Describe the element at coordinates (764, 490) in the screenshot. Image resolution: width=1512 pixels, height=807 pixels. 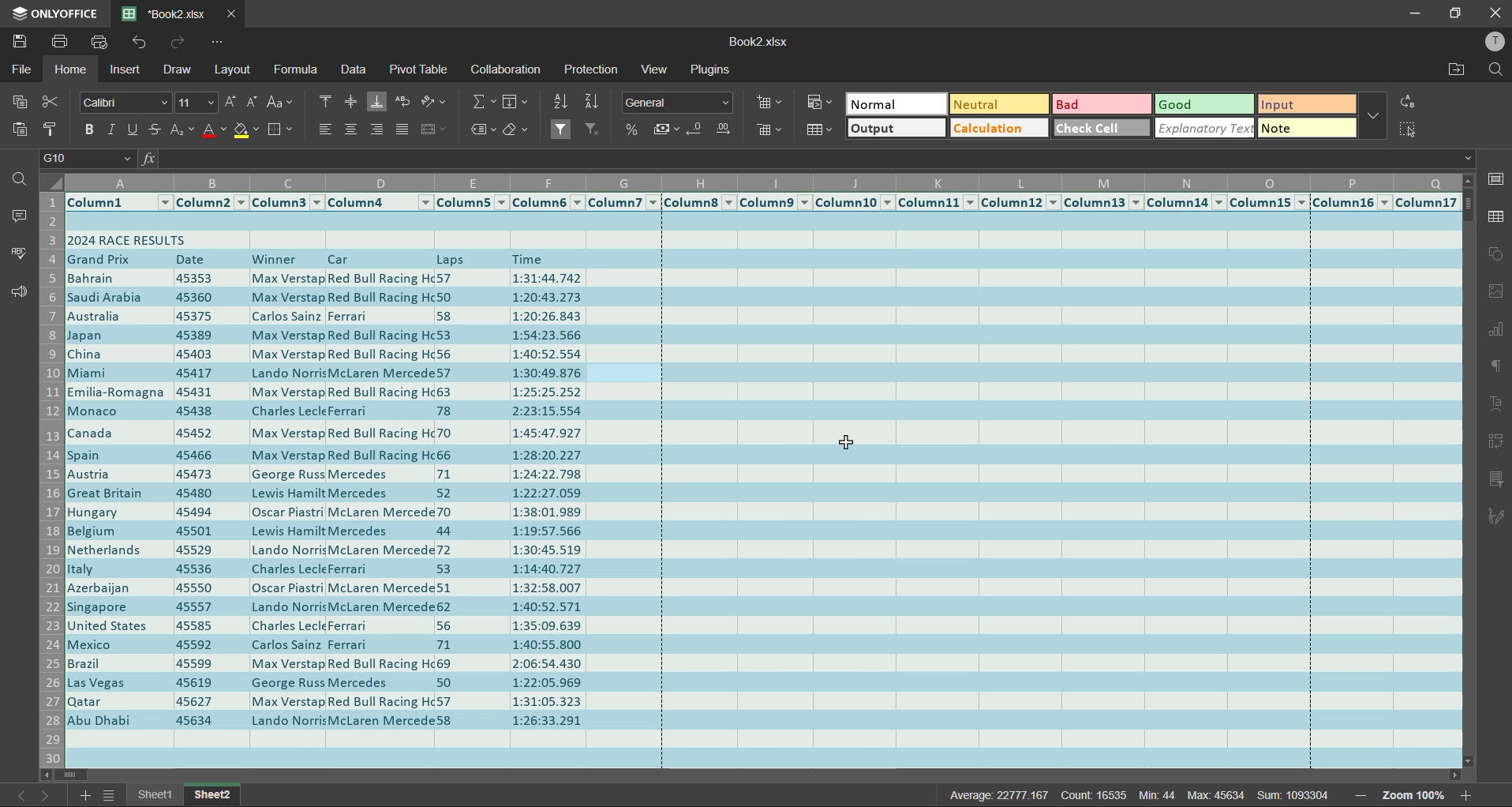
I see `Applied alternating row colors to the whole data` at that location.